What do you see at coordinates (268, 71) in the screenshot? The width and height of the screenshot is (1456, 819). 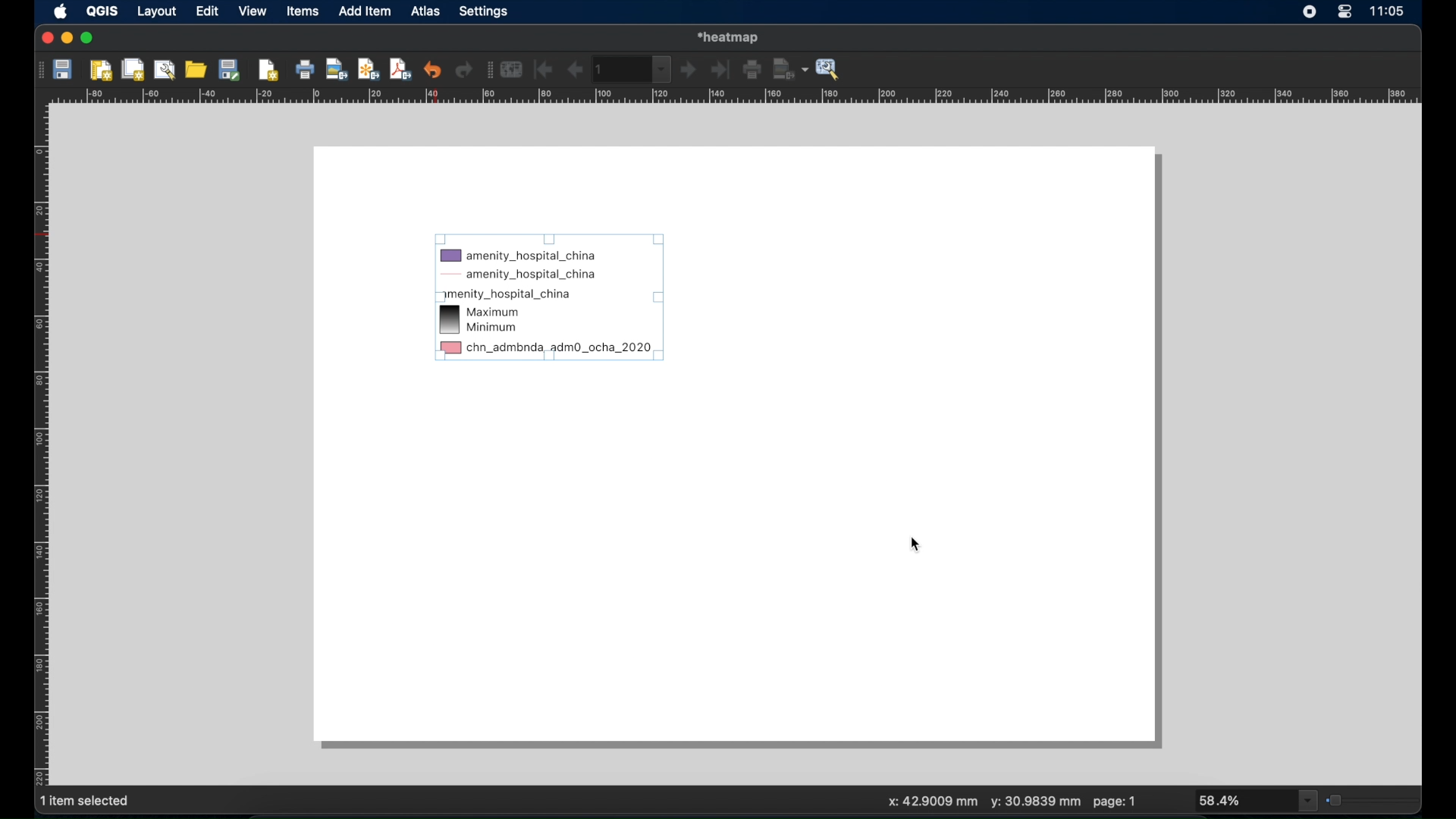 I see `add pages` at bounding box center [268, 71].